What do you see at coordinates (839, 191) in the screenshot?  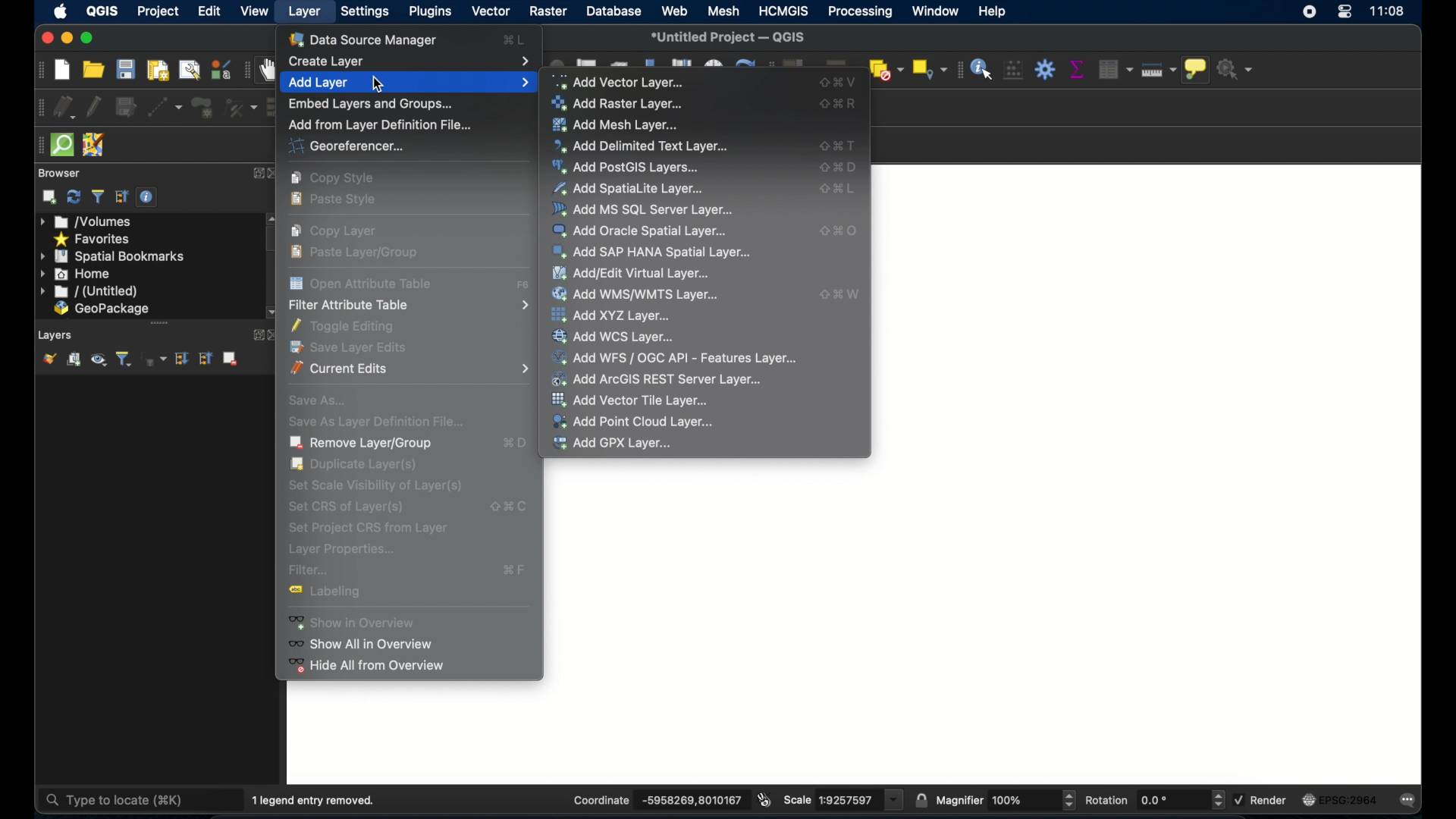 I see `add spatiallite layer shortcut` at bounding box center [839, 191].